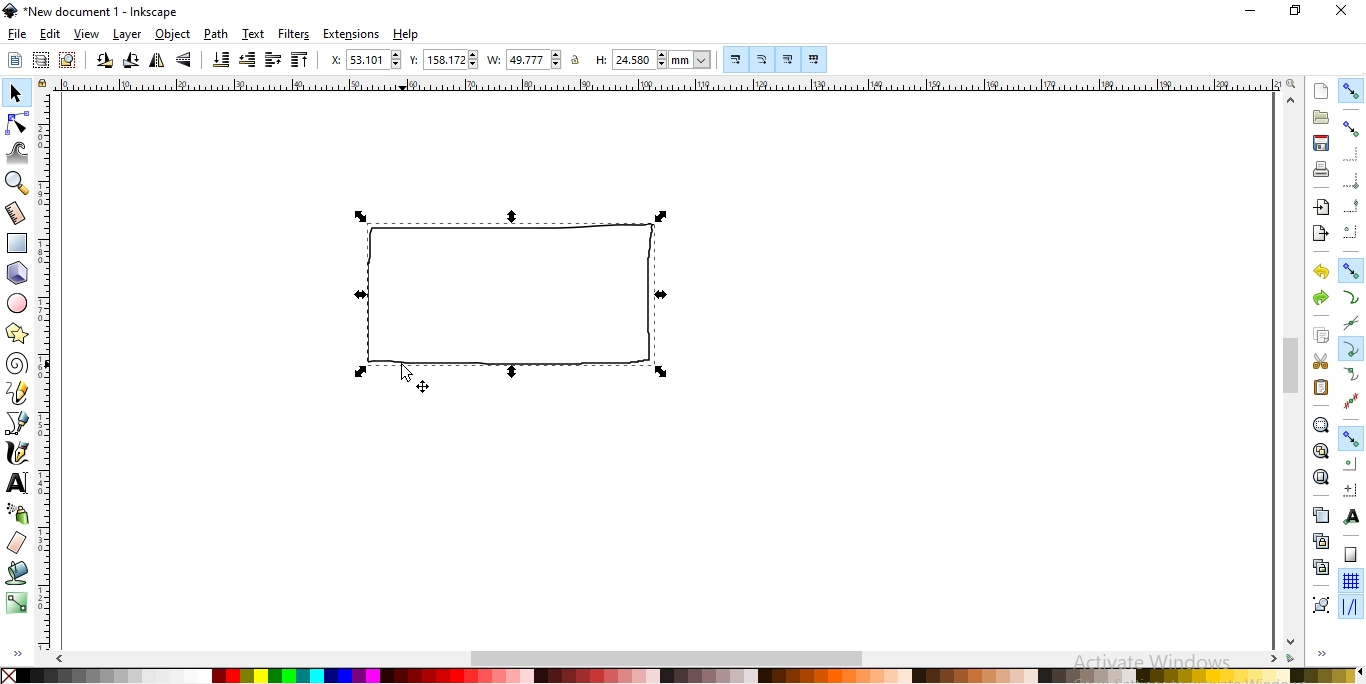  What do you see at coordinates (817, 59) in the screenshot?
I see `move patterns` at bounding box center [817, 59].